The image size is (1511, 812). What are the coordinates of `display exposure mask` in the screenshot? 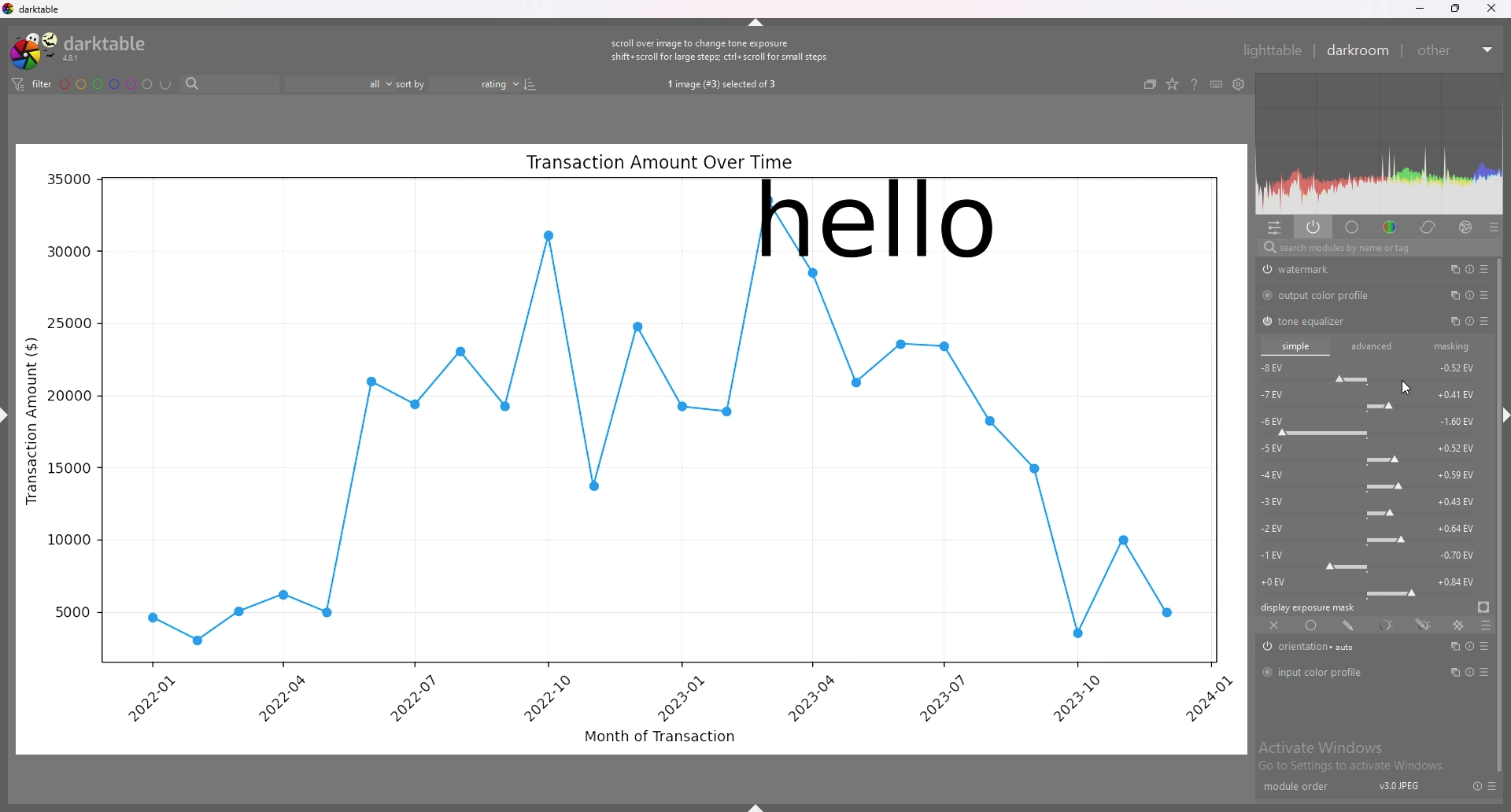 It's located at (1309, 607).